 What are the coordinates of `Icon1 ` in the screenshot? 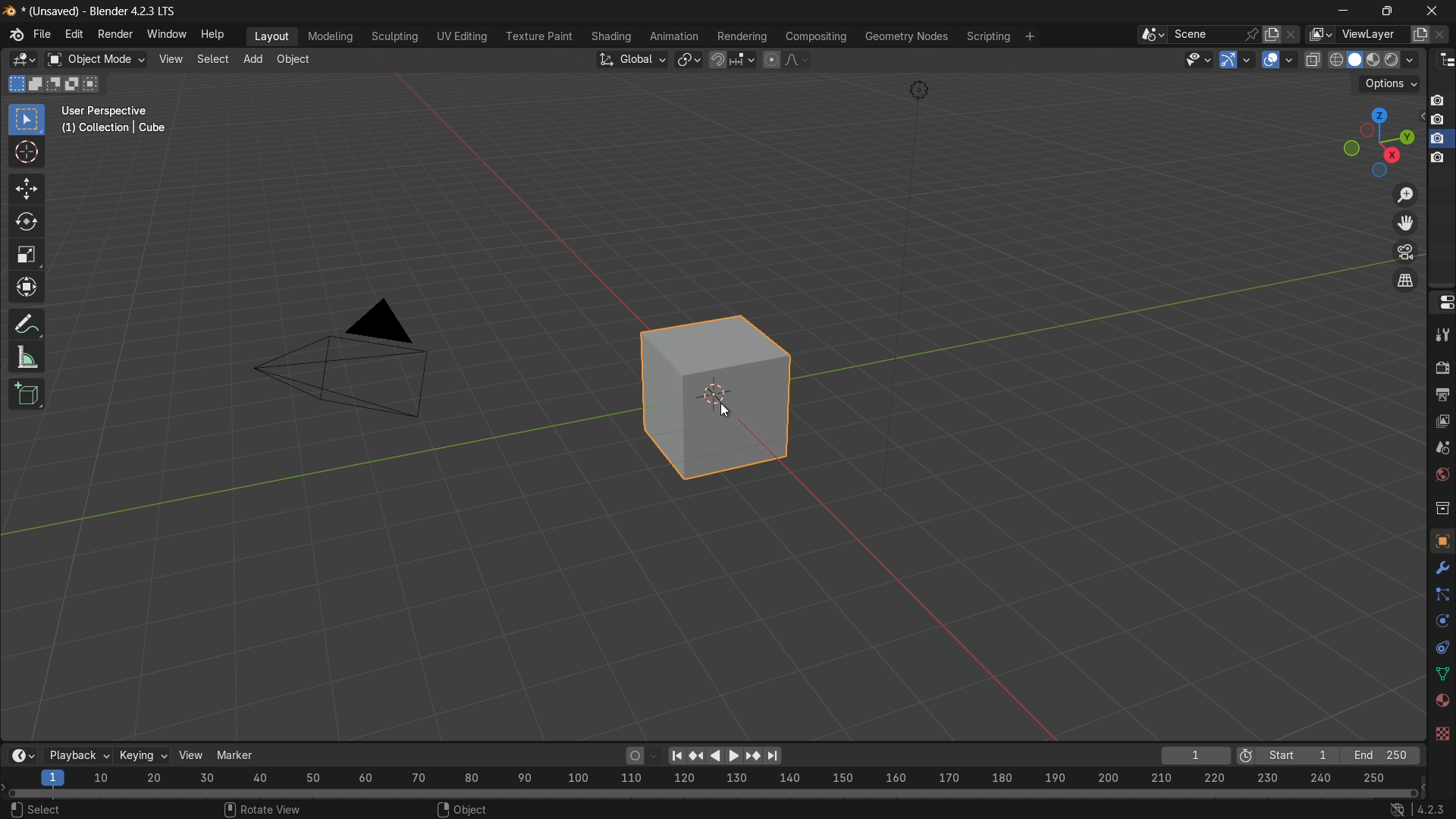 It's located at (1439, 99).